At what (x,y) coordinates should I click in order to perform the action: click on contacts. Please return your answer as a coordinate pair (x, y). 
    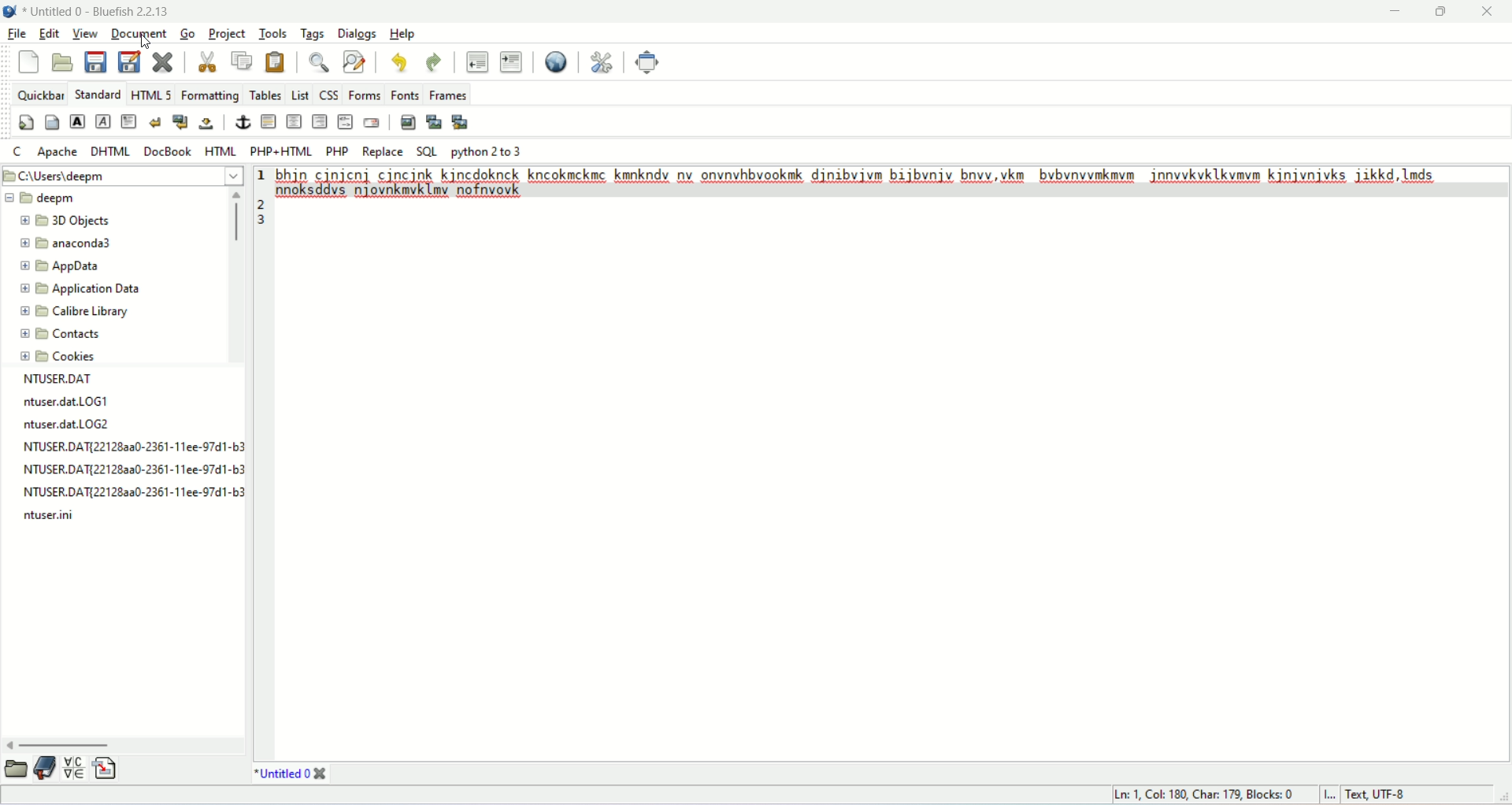
    Looking at the image, I should click on (62, 333).